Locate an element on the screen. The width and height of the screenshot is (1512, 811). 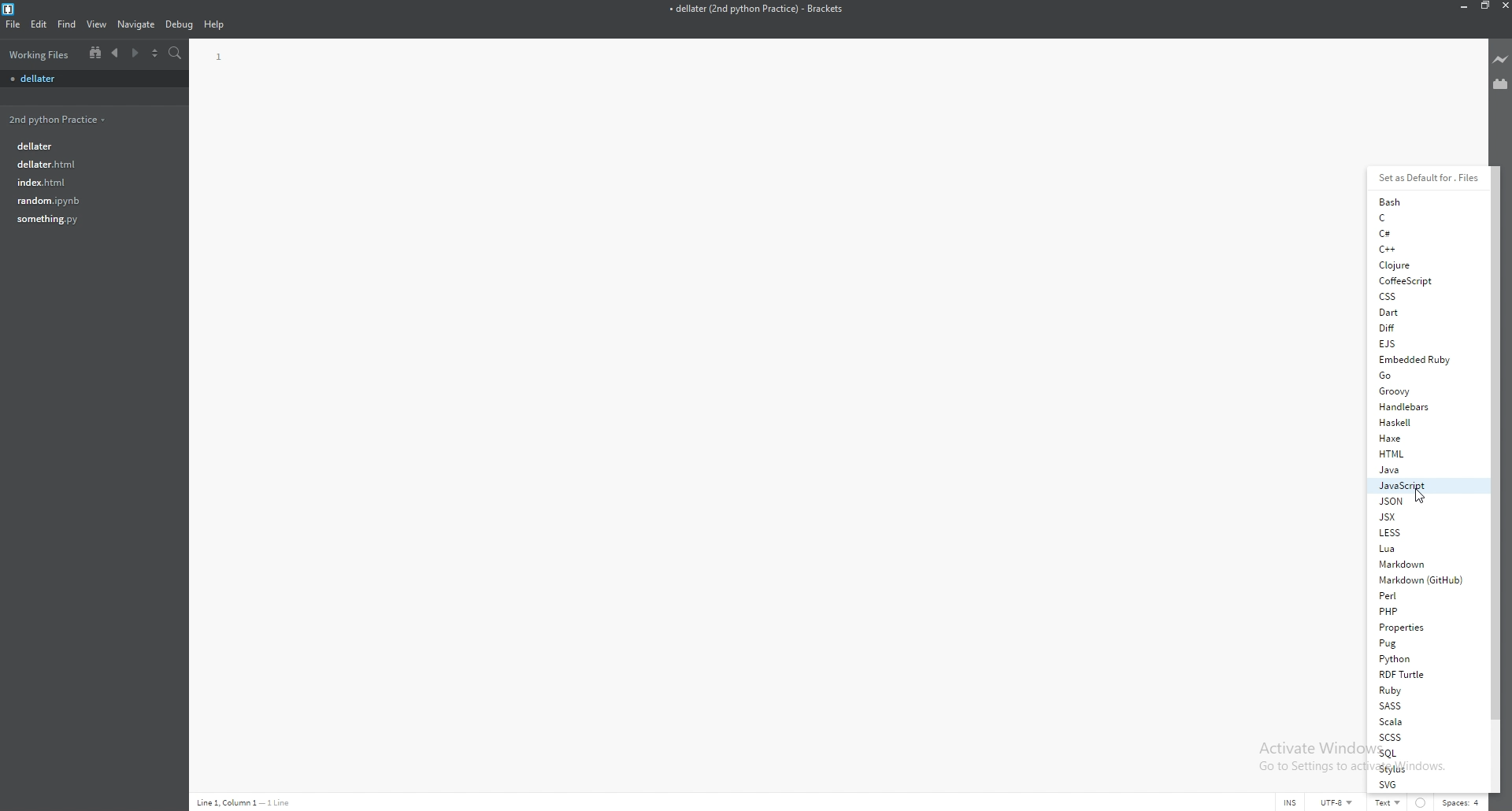
folder is located at coordinates (56, 118).